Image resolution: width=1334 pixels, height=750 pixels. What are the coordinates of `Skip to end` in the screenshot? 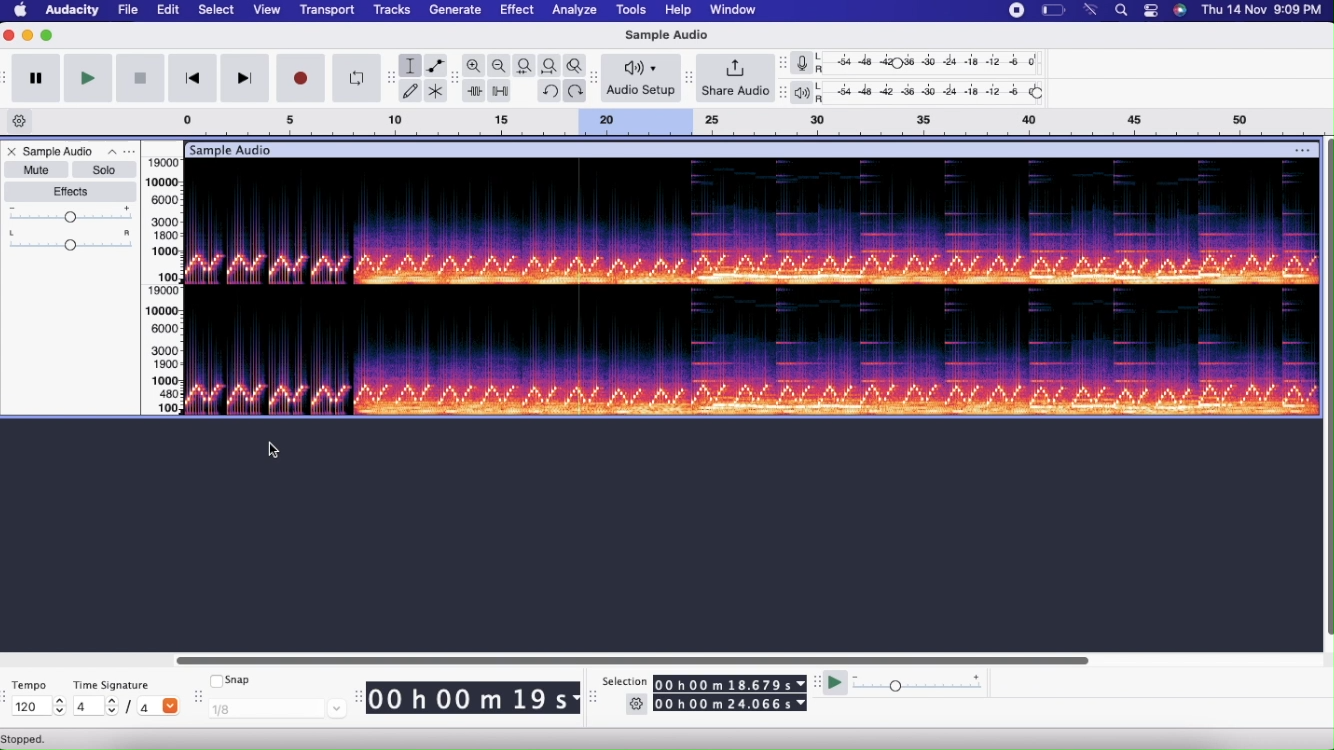 It's located at (244, 78).